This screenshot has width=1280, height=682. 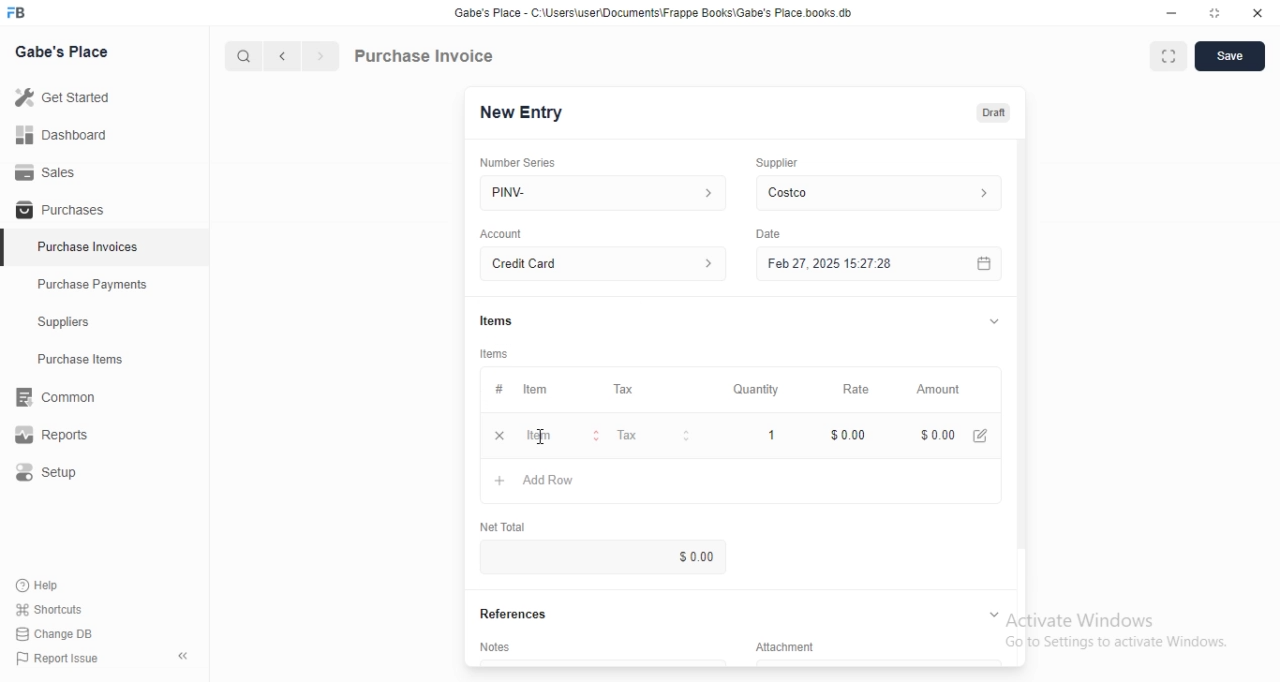 I want to click on Collapse, so click(x=183, y=656).